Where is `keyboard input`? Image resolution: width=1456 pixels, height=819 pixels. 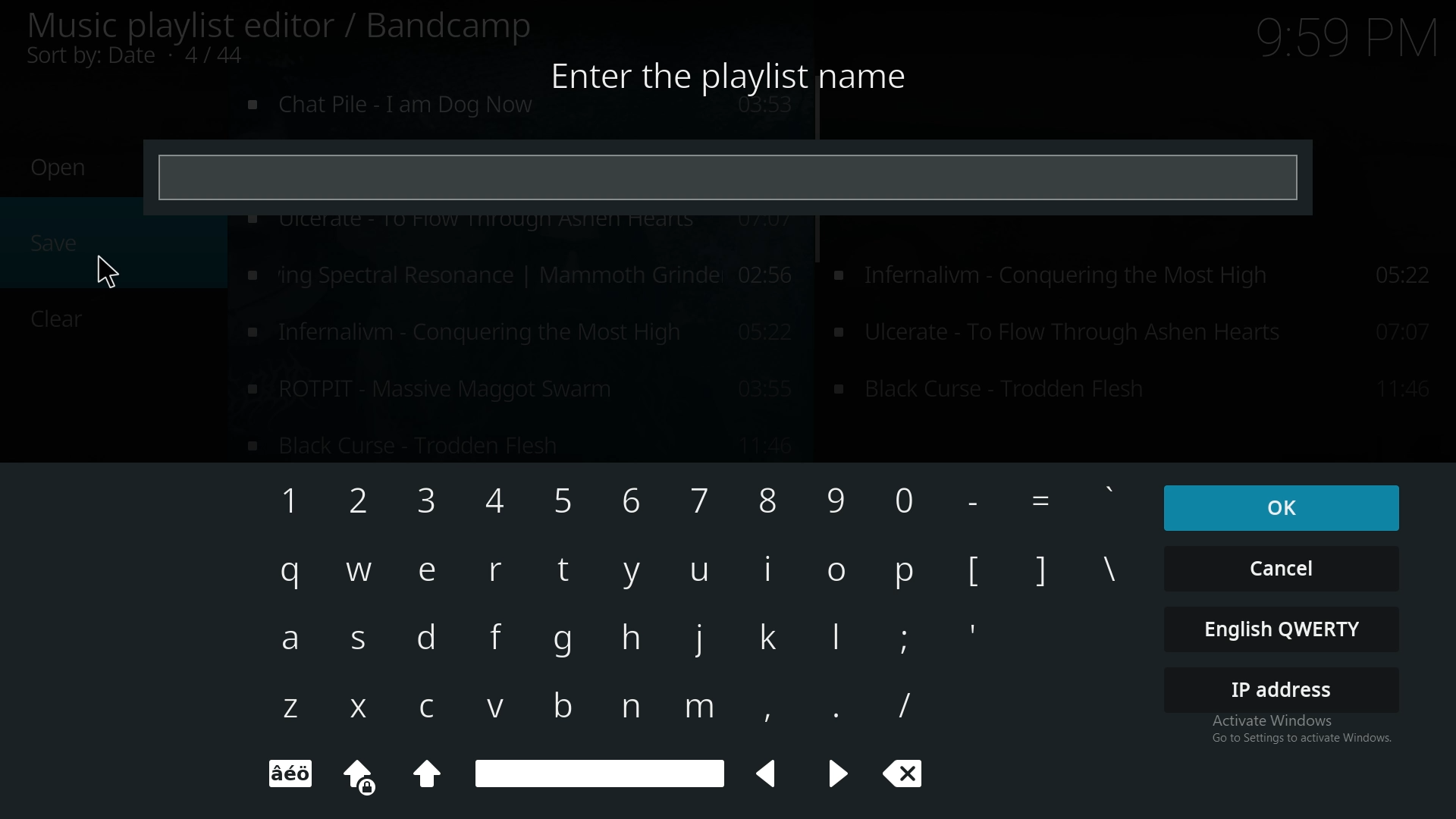
keyboard input is located at coordinates (630, 500).